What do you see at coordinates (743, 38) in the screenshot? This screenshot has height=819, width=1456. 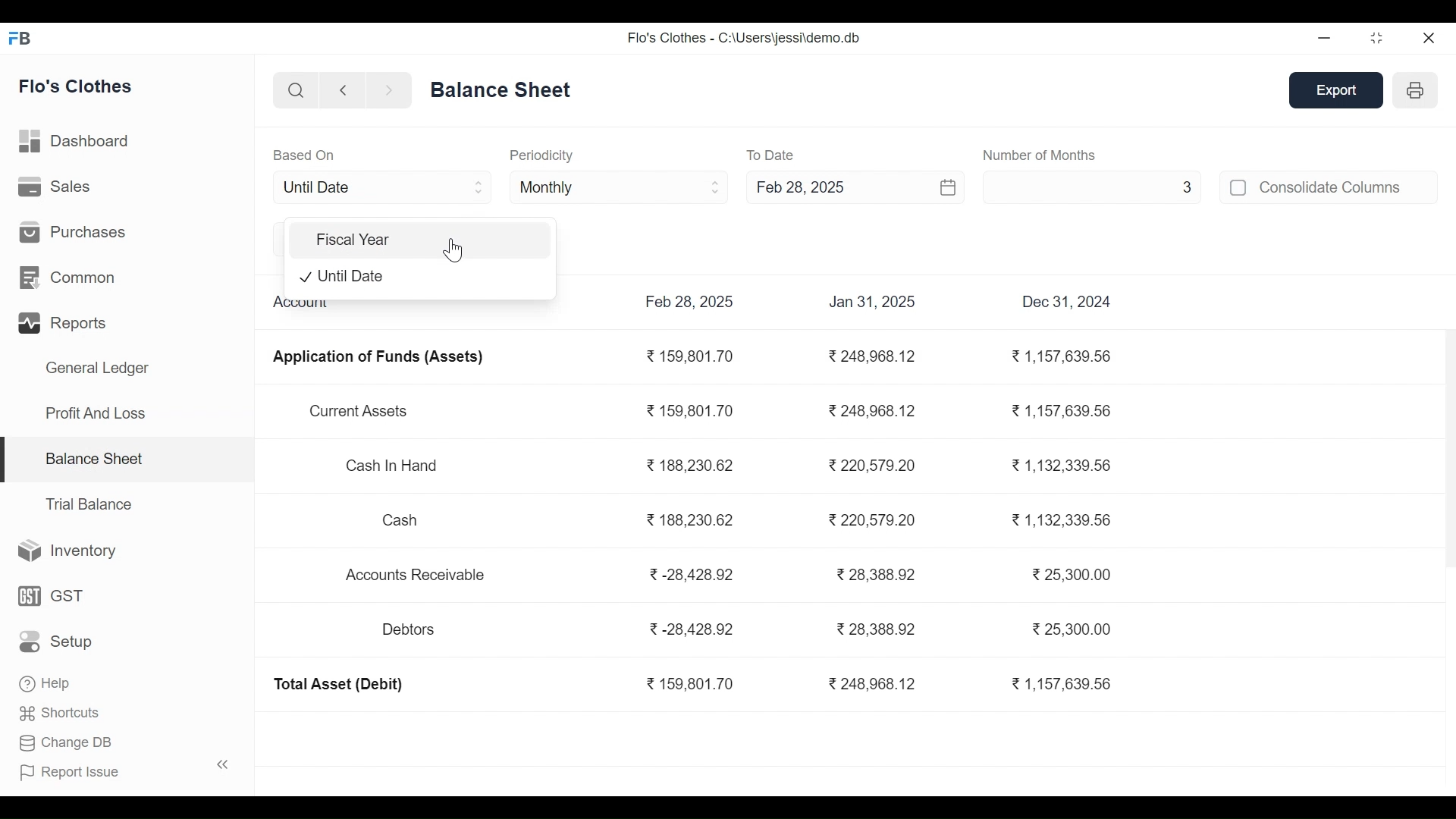 I see `Flo's Clothes - C:\Users\jessi\demo.db` at bounding box center [743, 38].